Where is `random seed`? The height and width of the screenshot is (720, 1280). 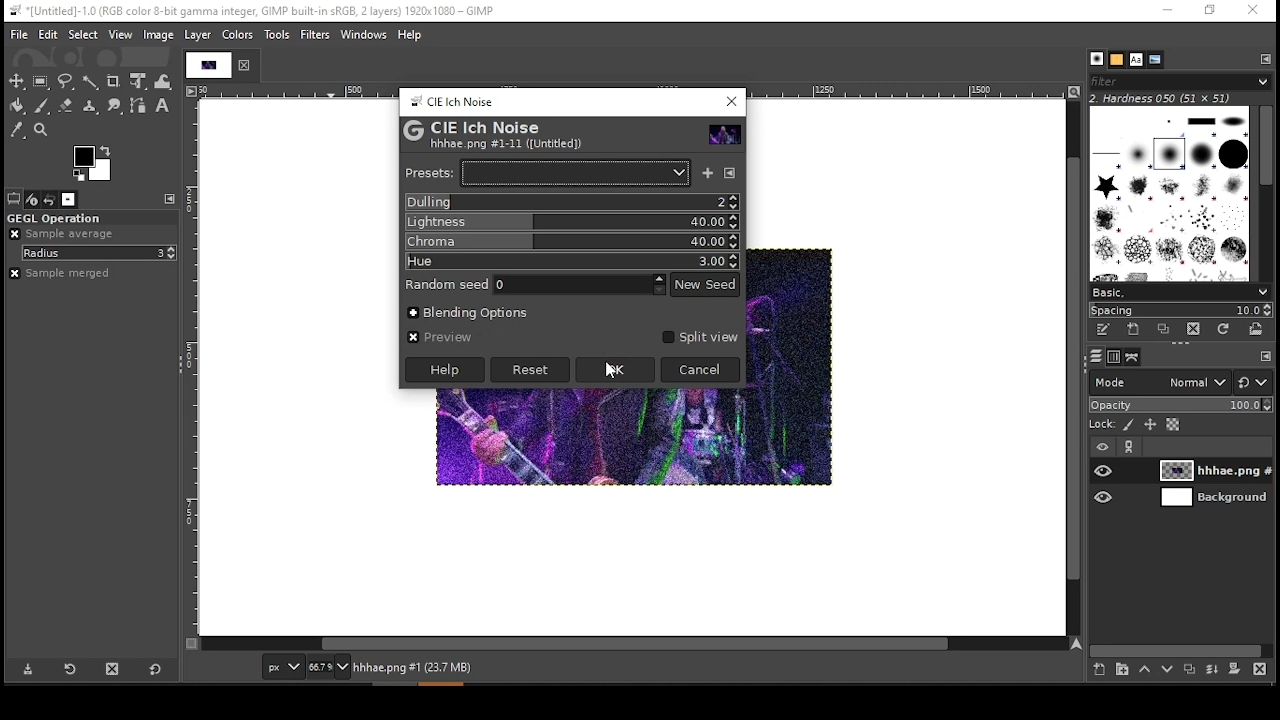 random seed is located at coordinates (536, 284).